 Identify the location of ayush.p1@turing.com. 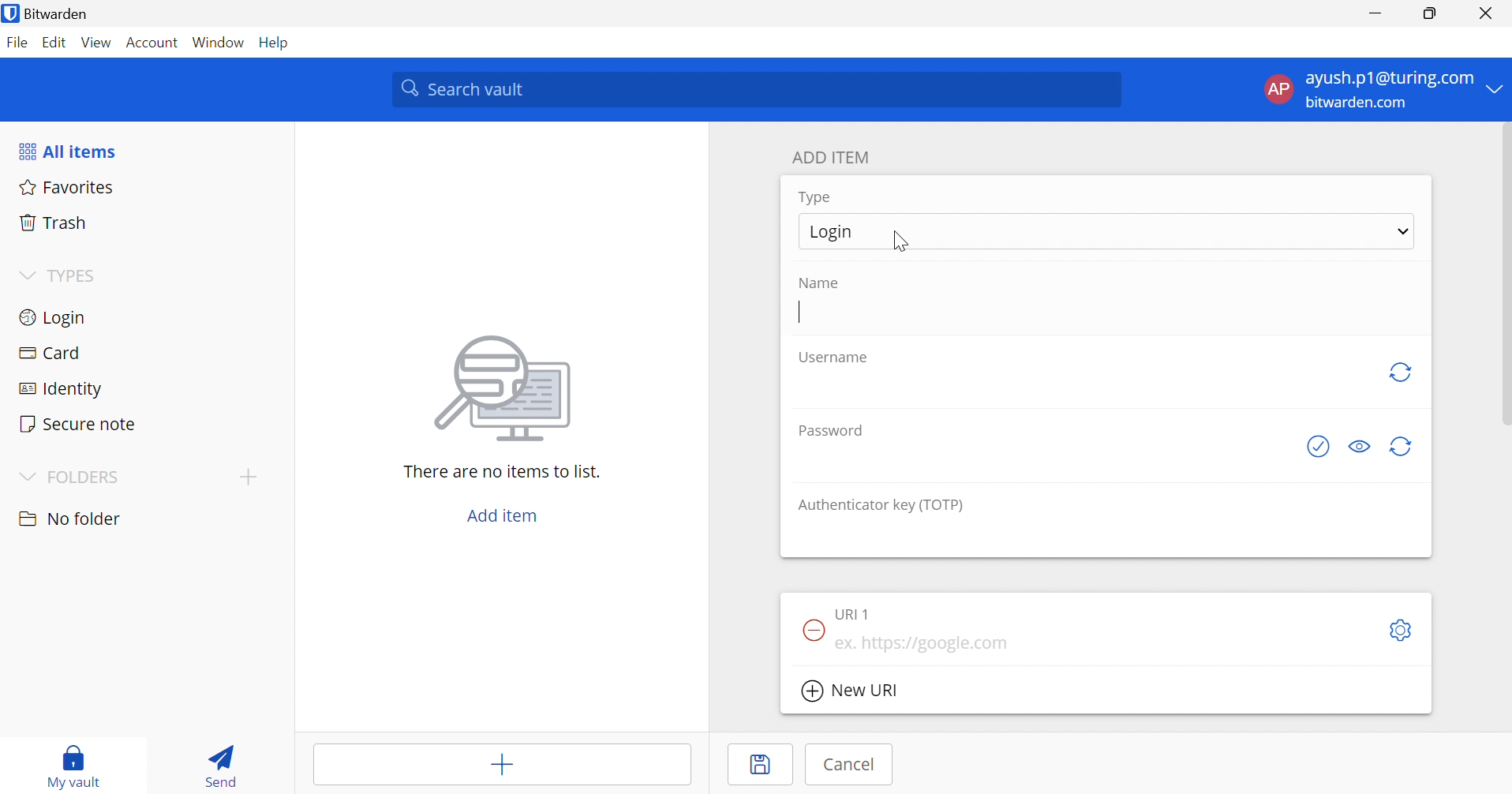
(1389, 79).